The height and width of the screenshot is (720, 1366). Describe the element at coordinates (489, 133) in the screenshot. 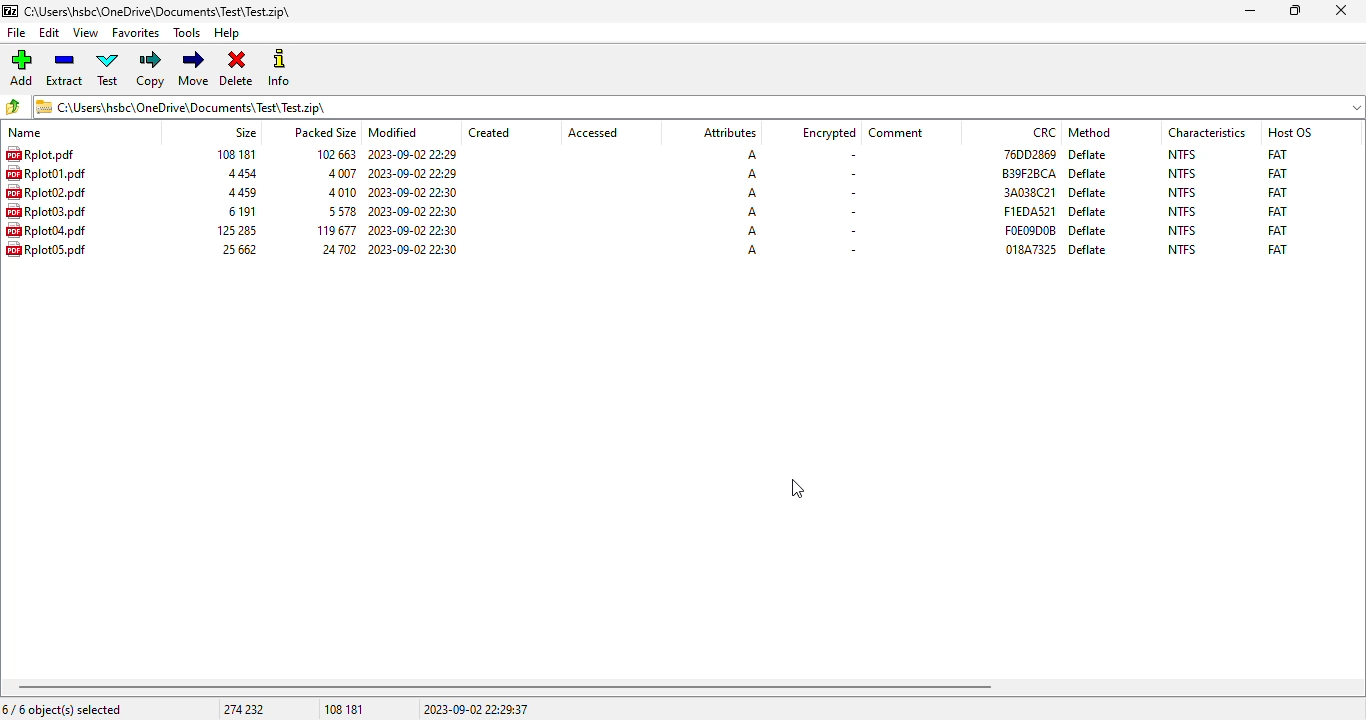

I see `created` at that location.